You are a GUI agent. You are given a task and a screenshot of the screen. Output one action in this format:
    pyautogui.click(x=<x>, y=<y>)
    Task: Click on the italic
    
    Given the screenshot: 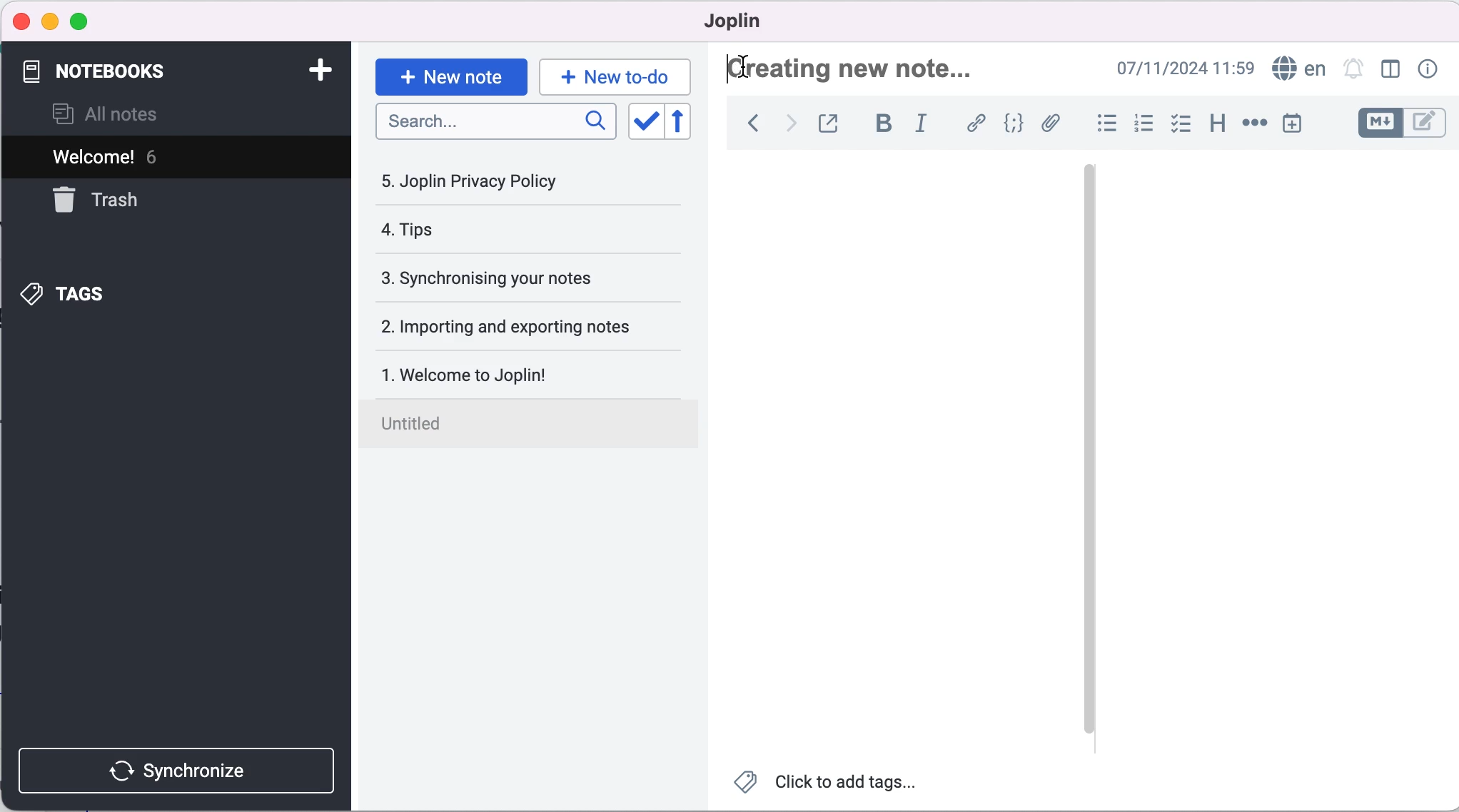 What is the action you would take?
    pyautogui.click(x=921, y=125)
    